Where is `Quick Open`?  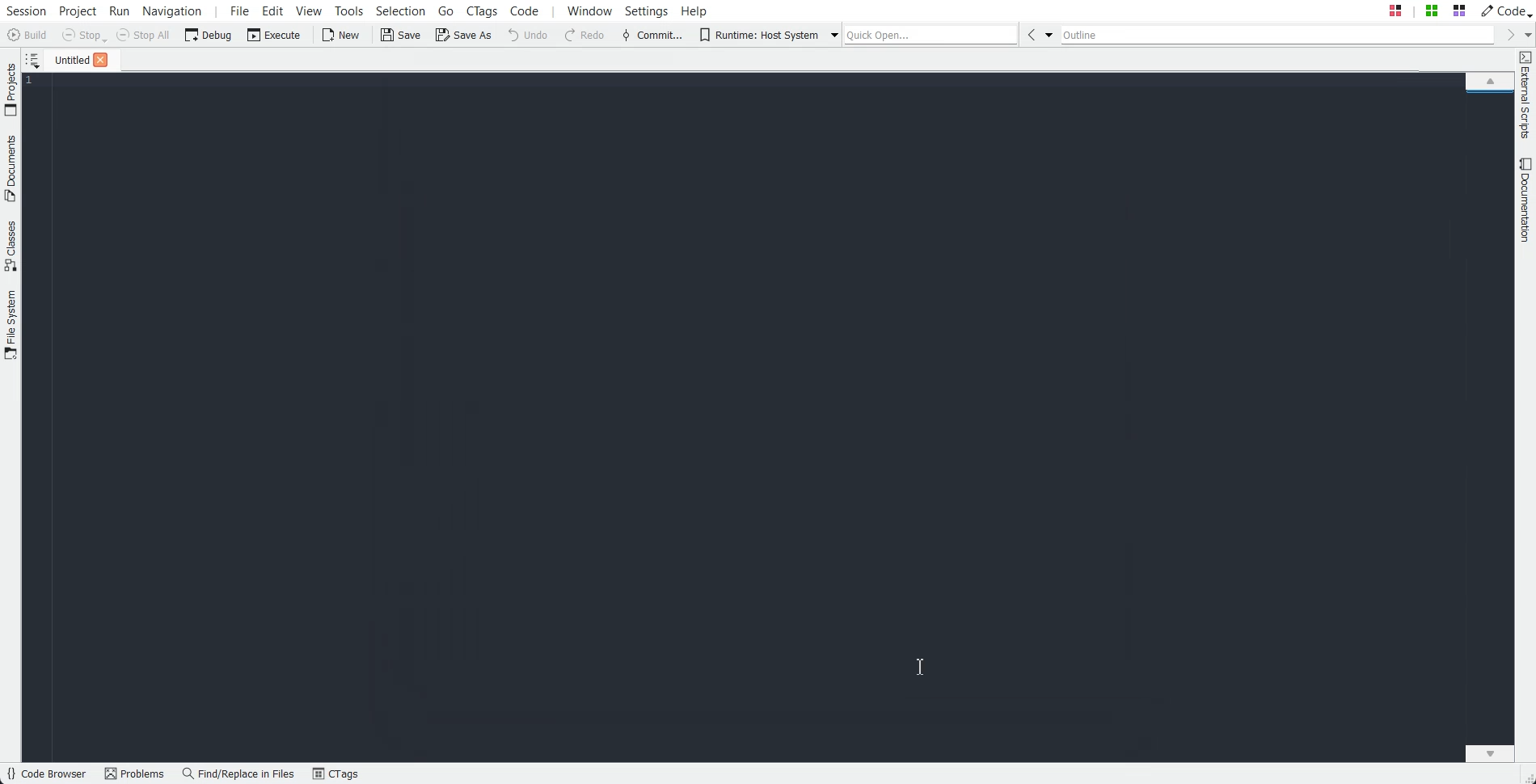
Quick Open is located at coordinates (931, 34).